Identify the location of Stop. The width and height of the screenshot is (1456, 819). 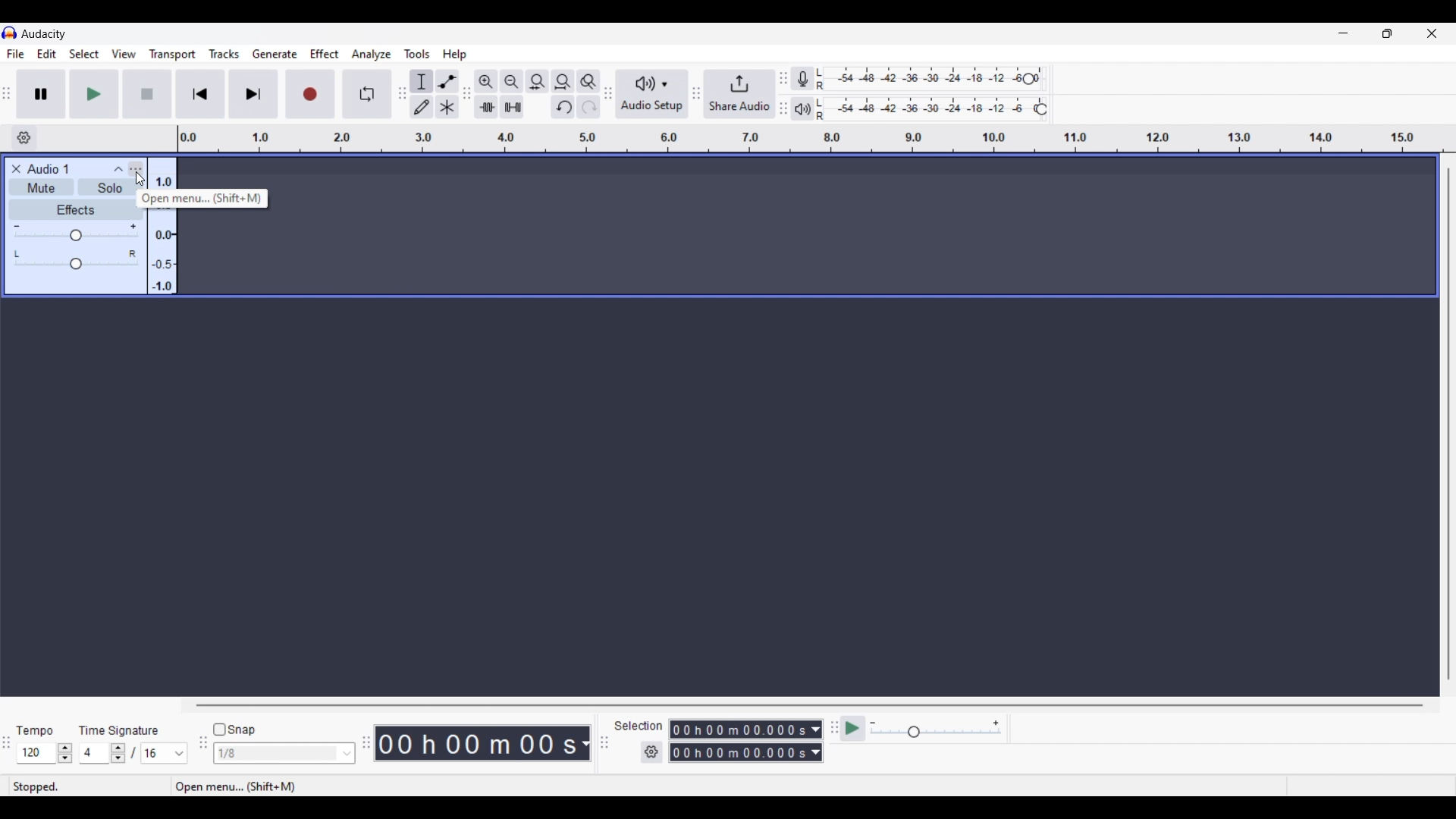
(148, 94).